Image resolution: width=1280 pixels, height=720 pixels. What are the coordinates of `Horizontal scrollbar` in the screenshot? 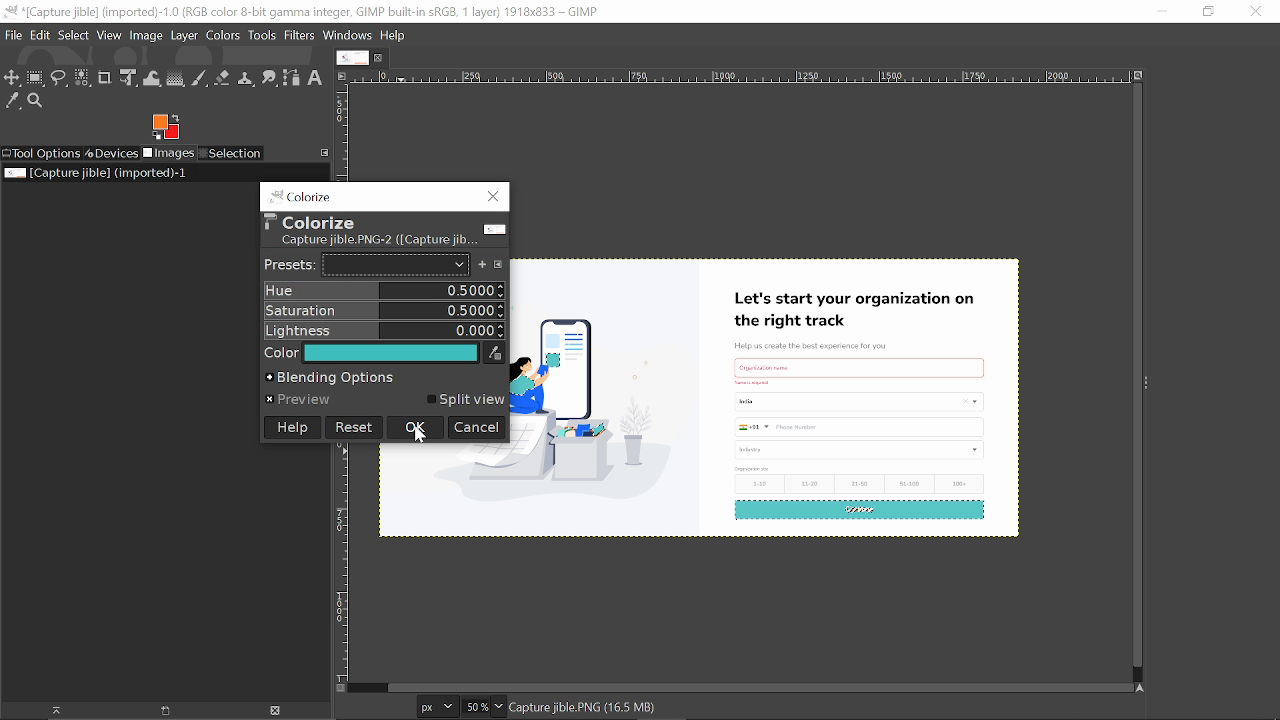 It's located at (756, 686).